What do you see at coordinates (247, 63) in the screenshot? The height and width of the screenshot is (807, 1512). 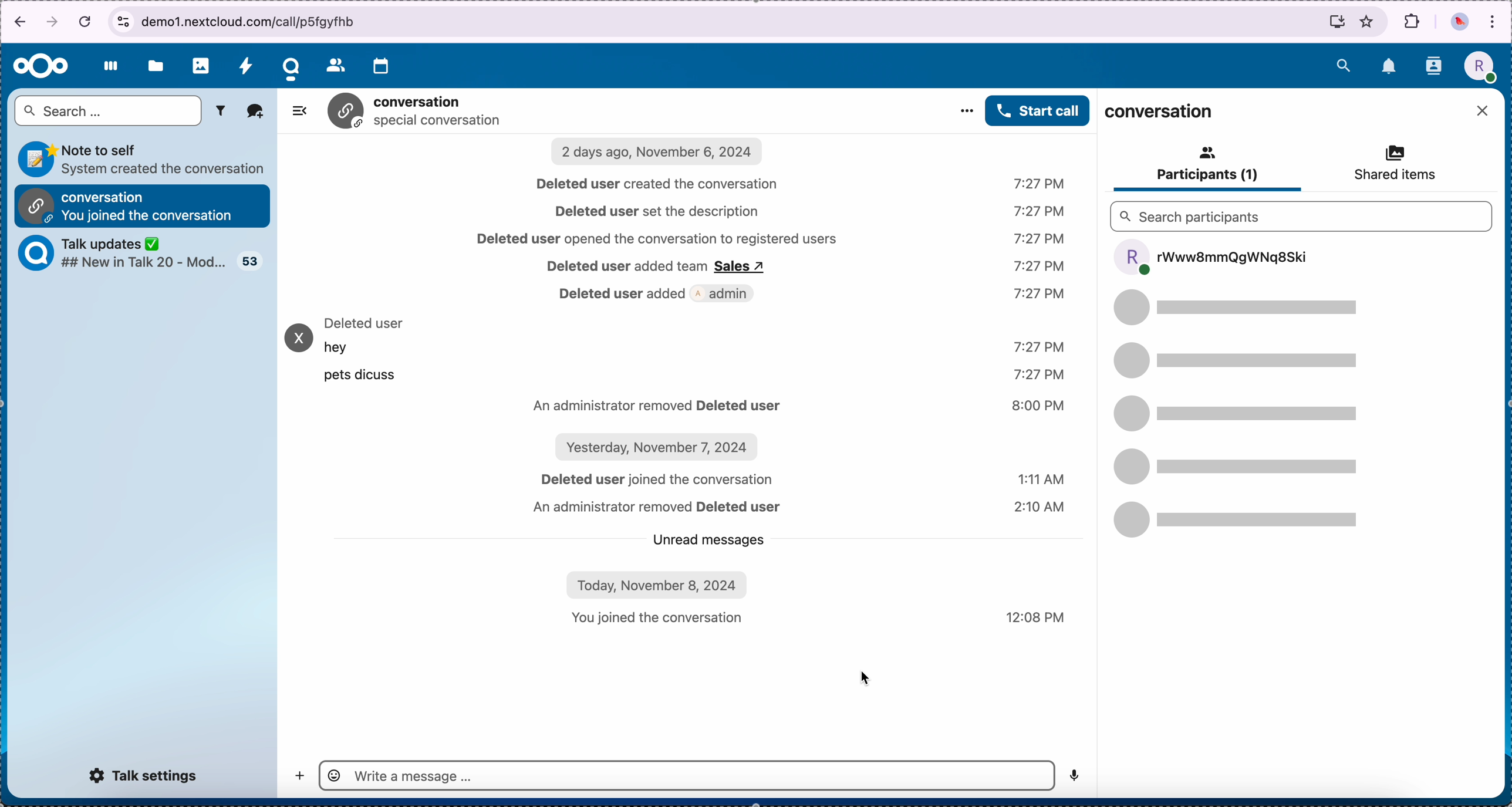 I see `activity` at bounding box center [247, 63].